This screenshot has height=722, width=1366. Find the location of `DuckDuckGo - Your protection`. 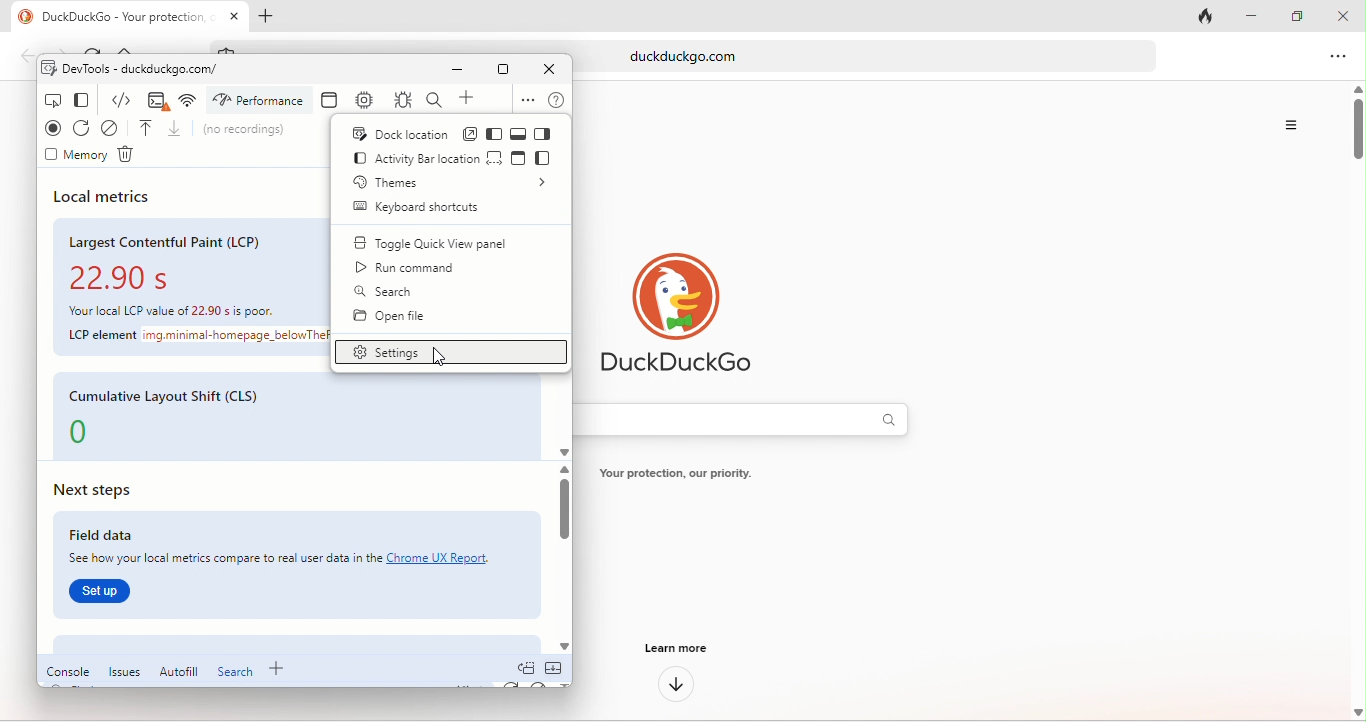

DuckDuckGo - Your protection is located at coordinates (128, 17).